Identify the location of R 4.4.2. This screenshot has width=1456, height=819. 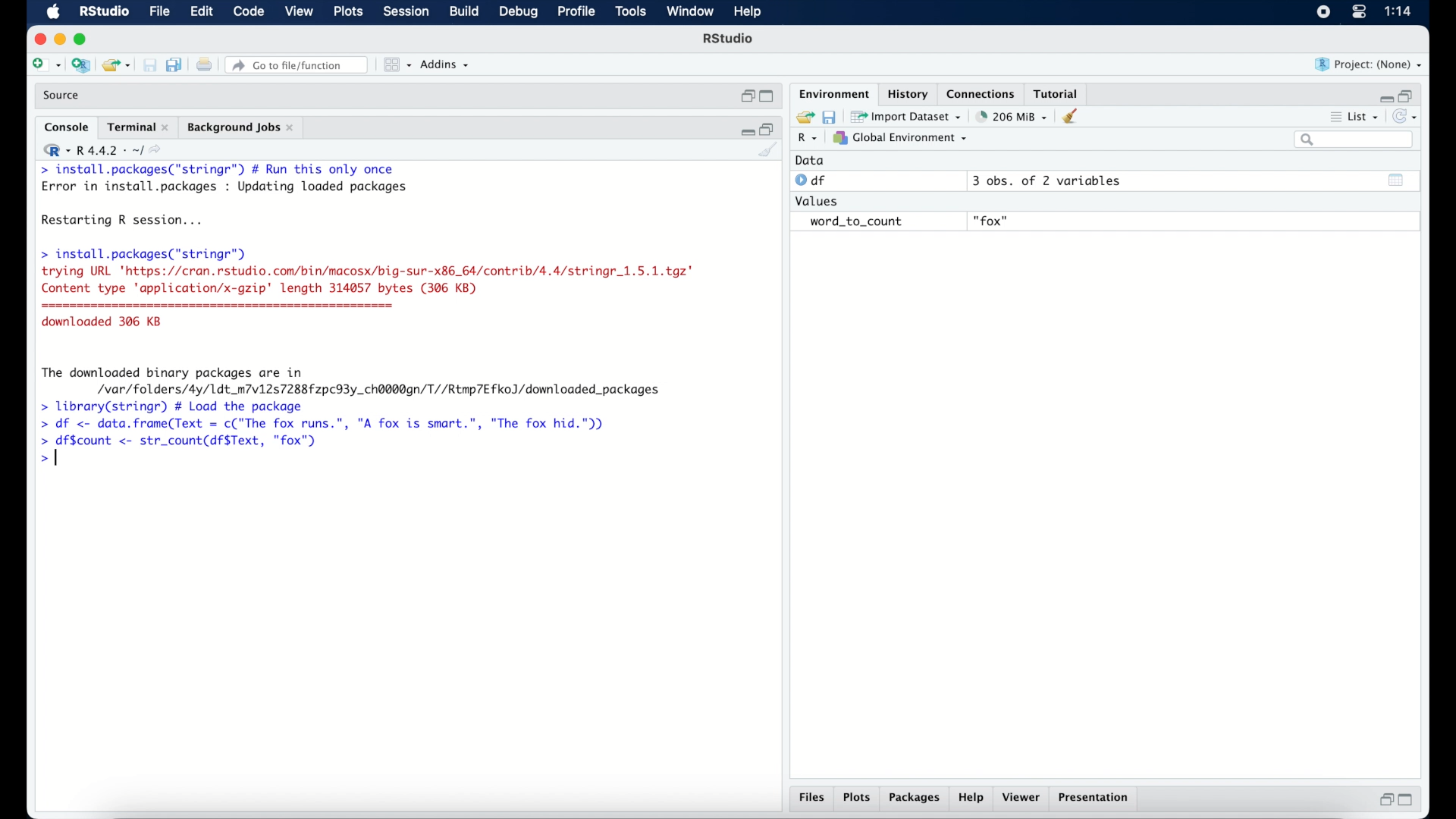
(102, 150).